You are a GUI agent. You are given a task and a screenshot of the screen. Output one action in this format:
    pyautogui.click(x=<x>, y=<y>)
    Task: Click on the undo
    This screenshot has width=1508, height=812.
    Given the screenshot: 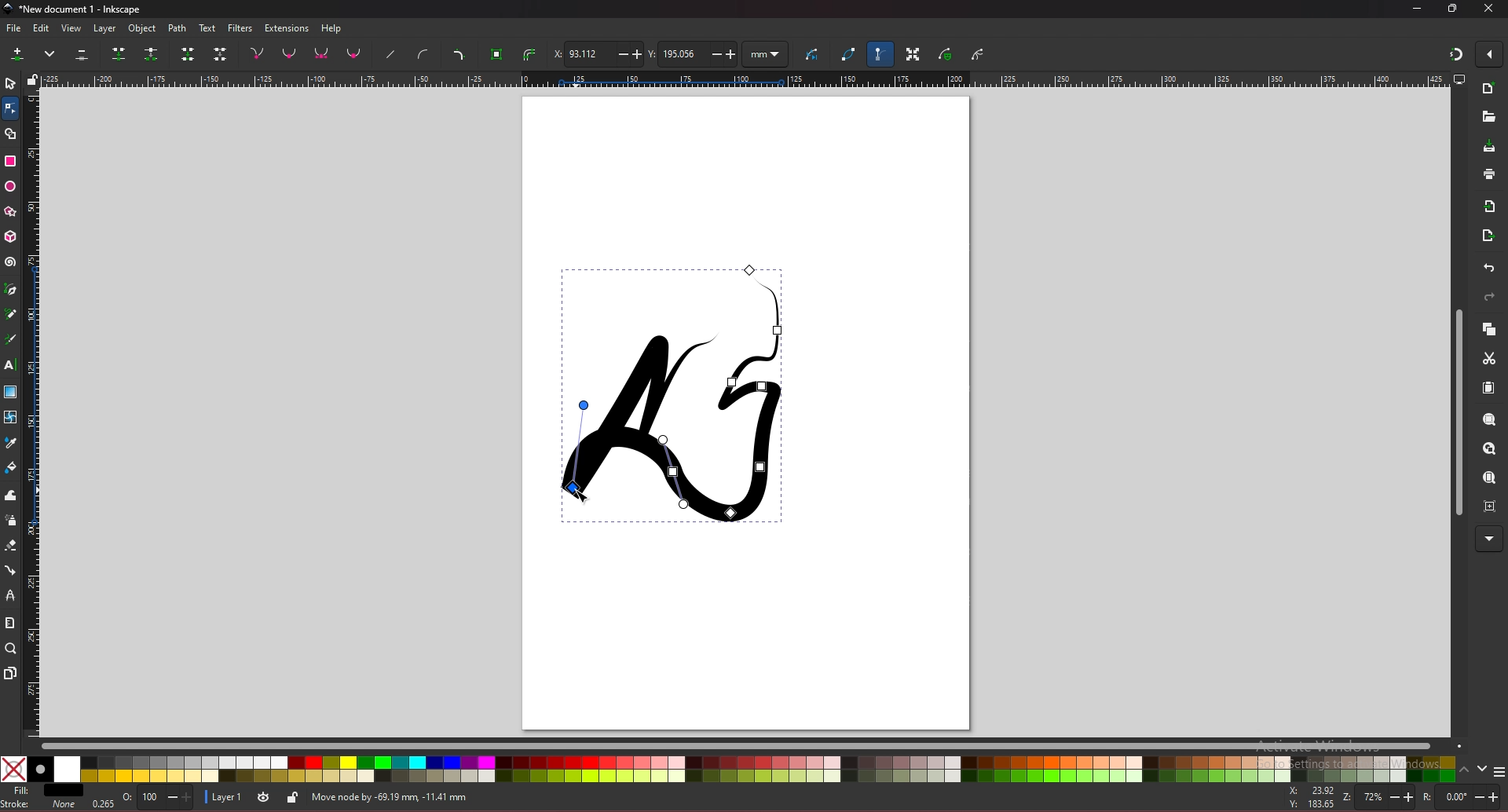 What is the action you would take?
    pyautogui.click(x=1490, y=268)
    